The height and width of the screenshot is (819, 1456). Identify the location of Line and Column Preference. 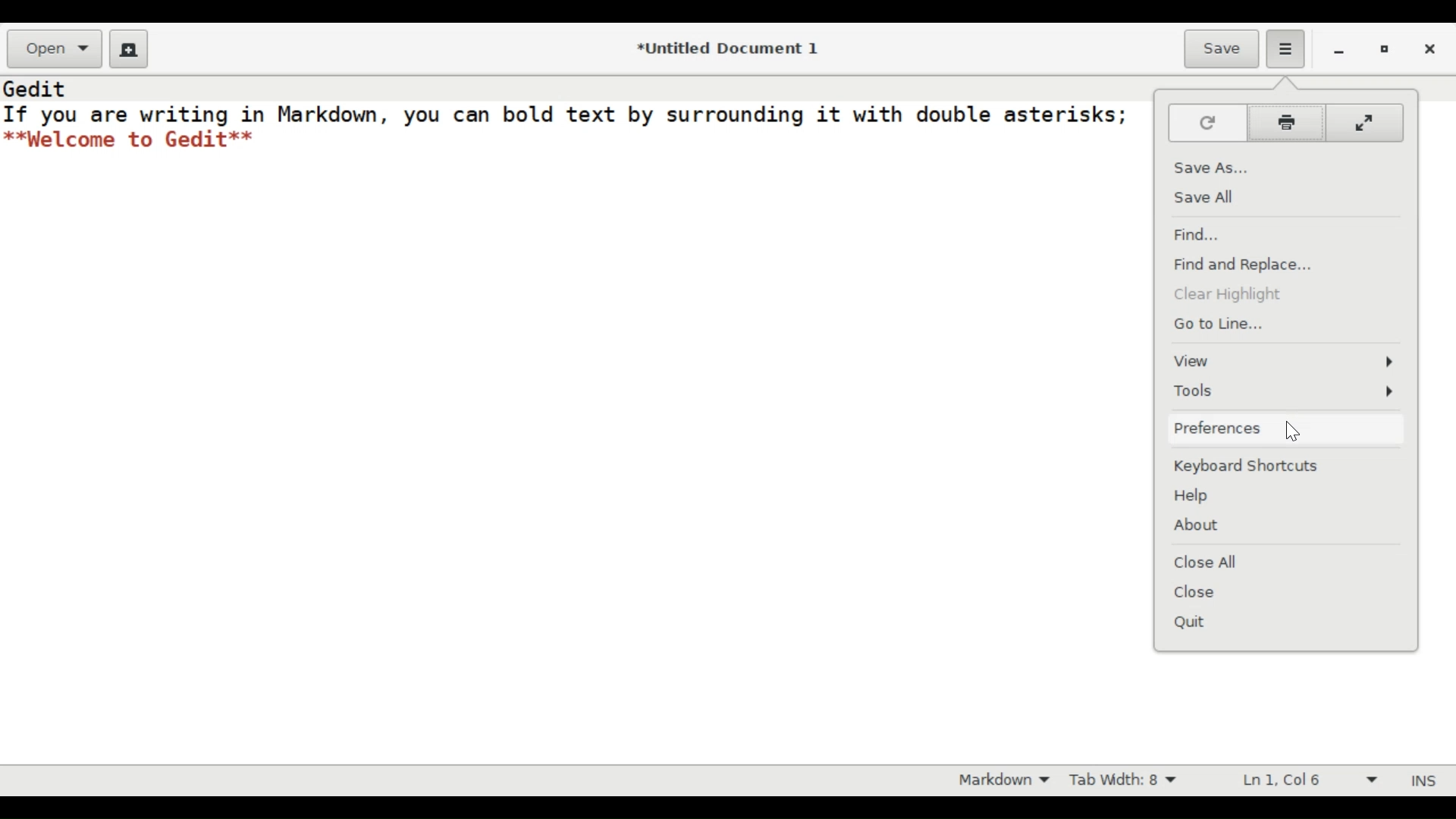
(1313, 780).